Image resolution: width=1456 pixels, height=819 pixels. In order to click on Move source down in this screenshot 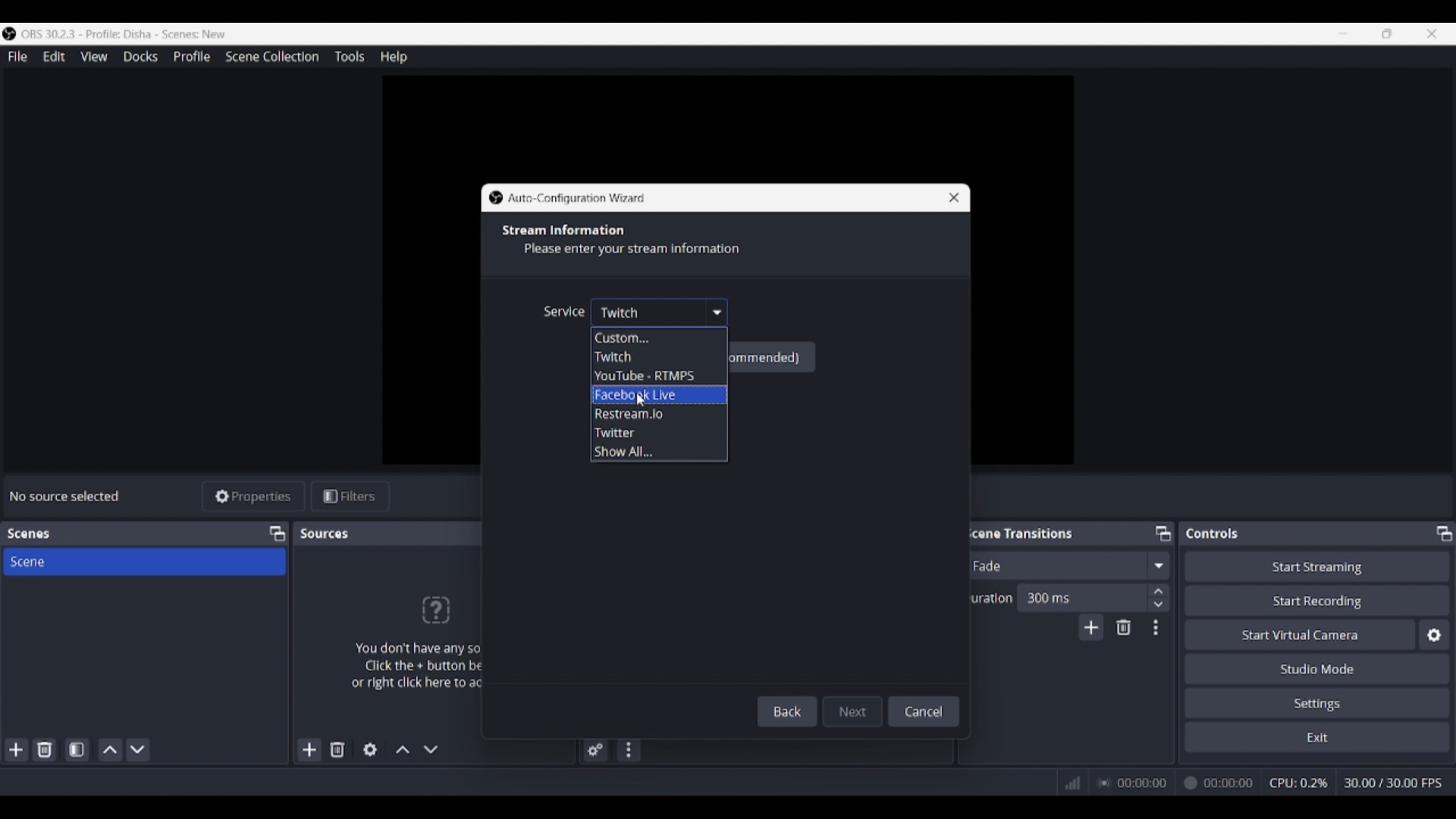, I will do `click(431, 749)`.